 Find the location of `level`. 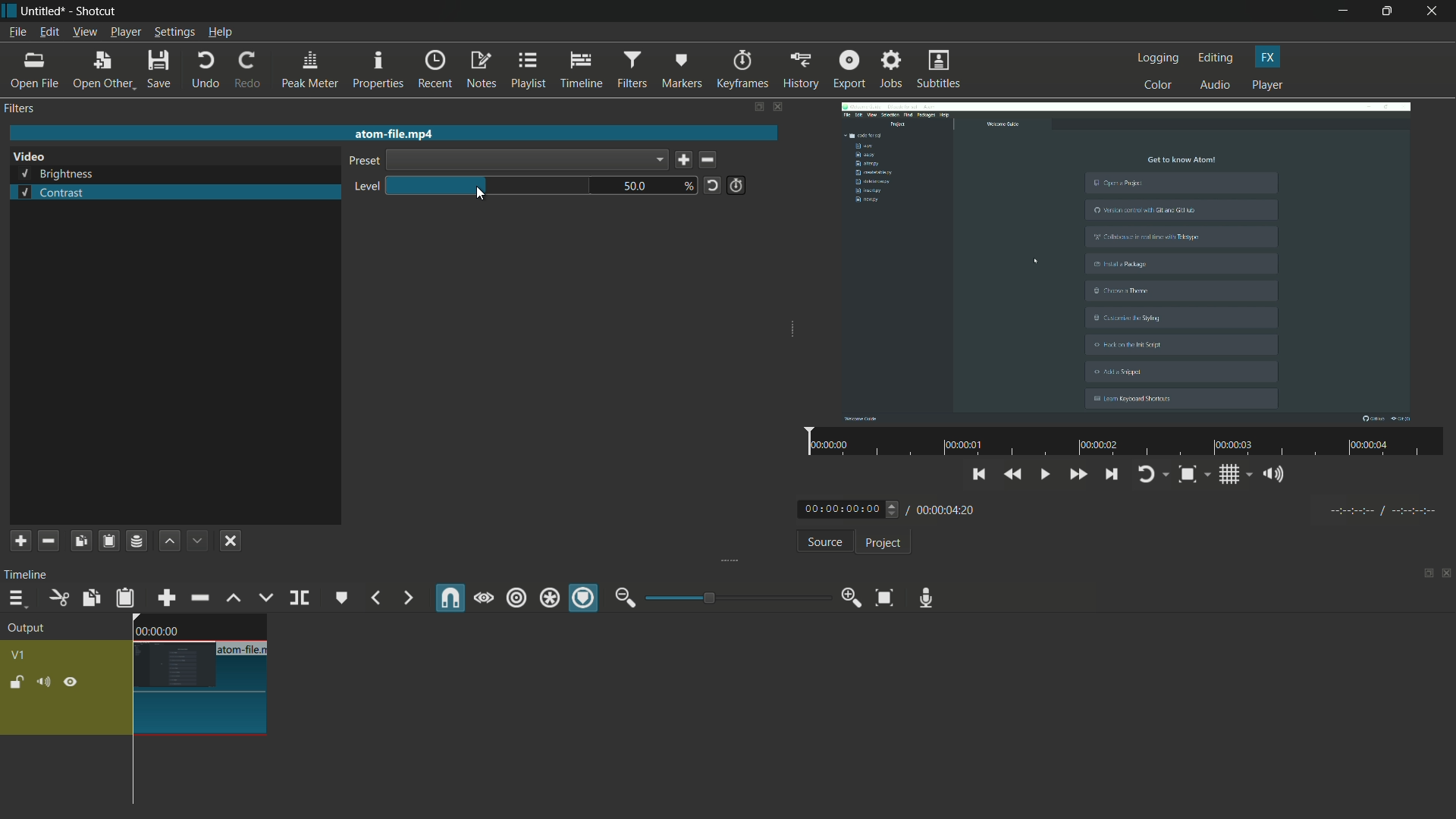

level is located at coordinates (363, 187).